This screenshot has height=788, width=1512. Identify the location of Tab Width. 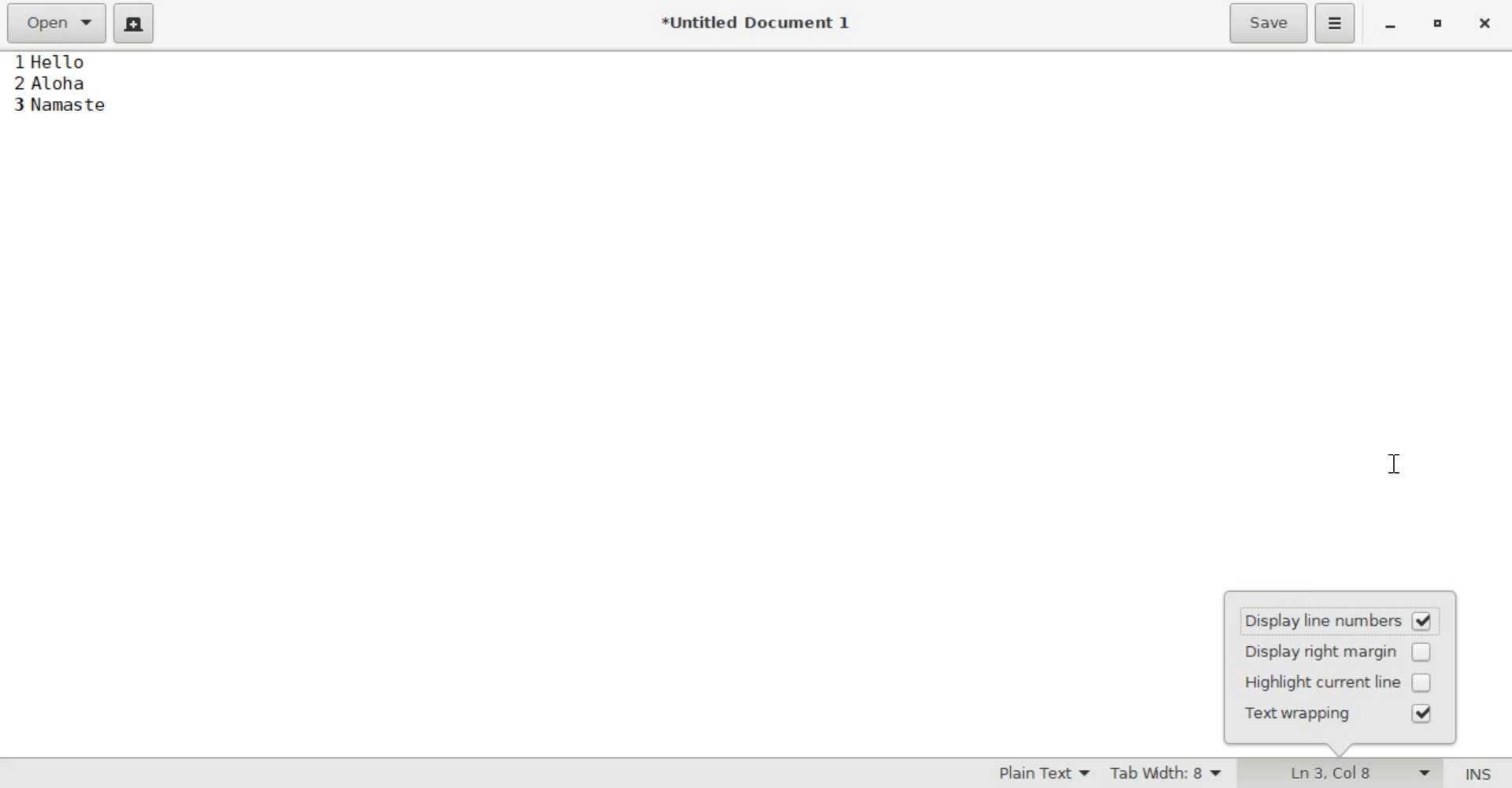
(1169, 773).